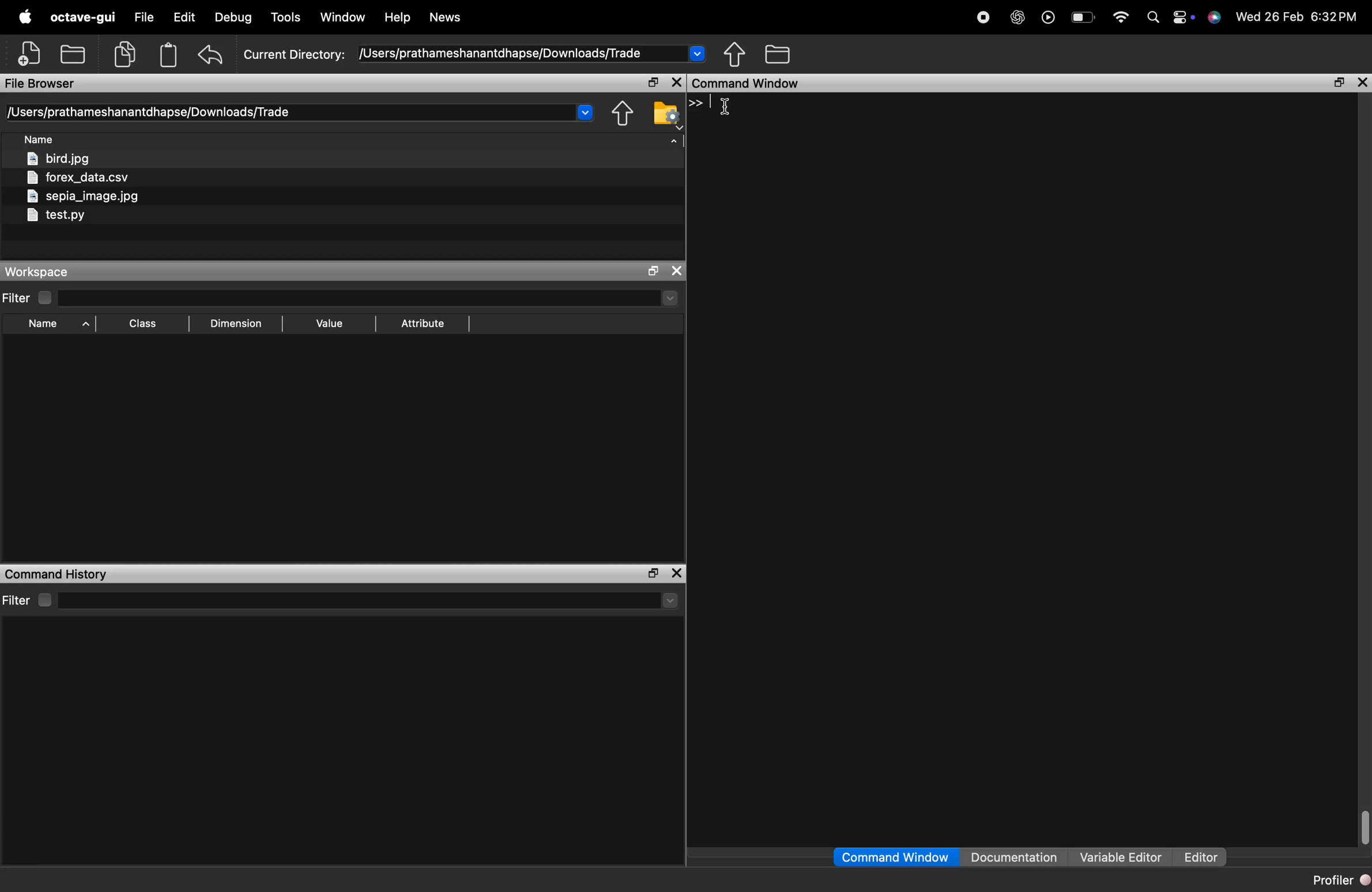  What do you see at coordinates (142, 18) in the screenshot?
I see `File` at bounding box center [142, 18].